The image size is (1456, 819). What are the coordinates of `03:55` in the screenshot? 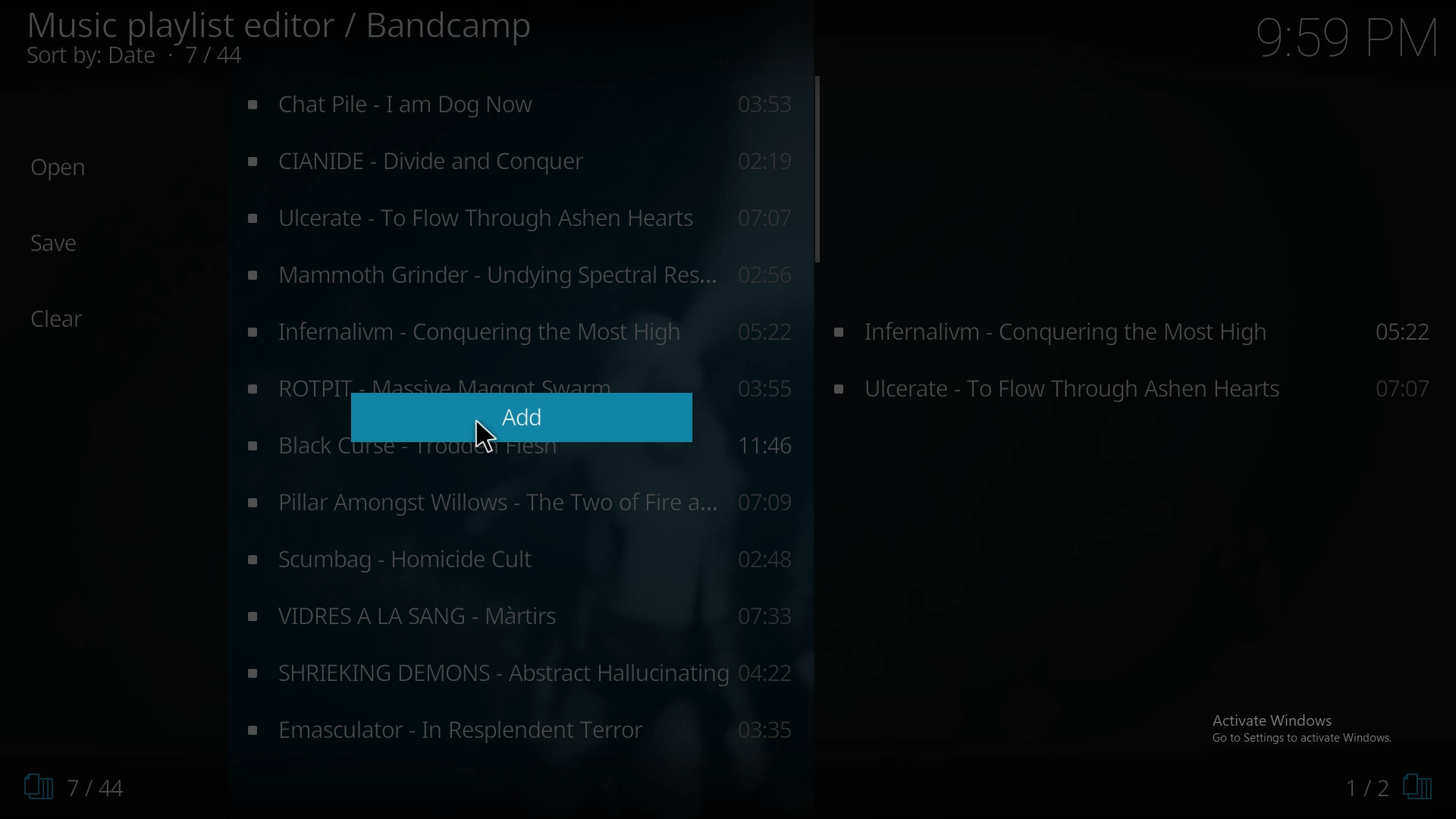 It's located at (758, 391).